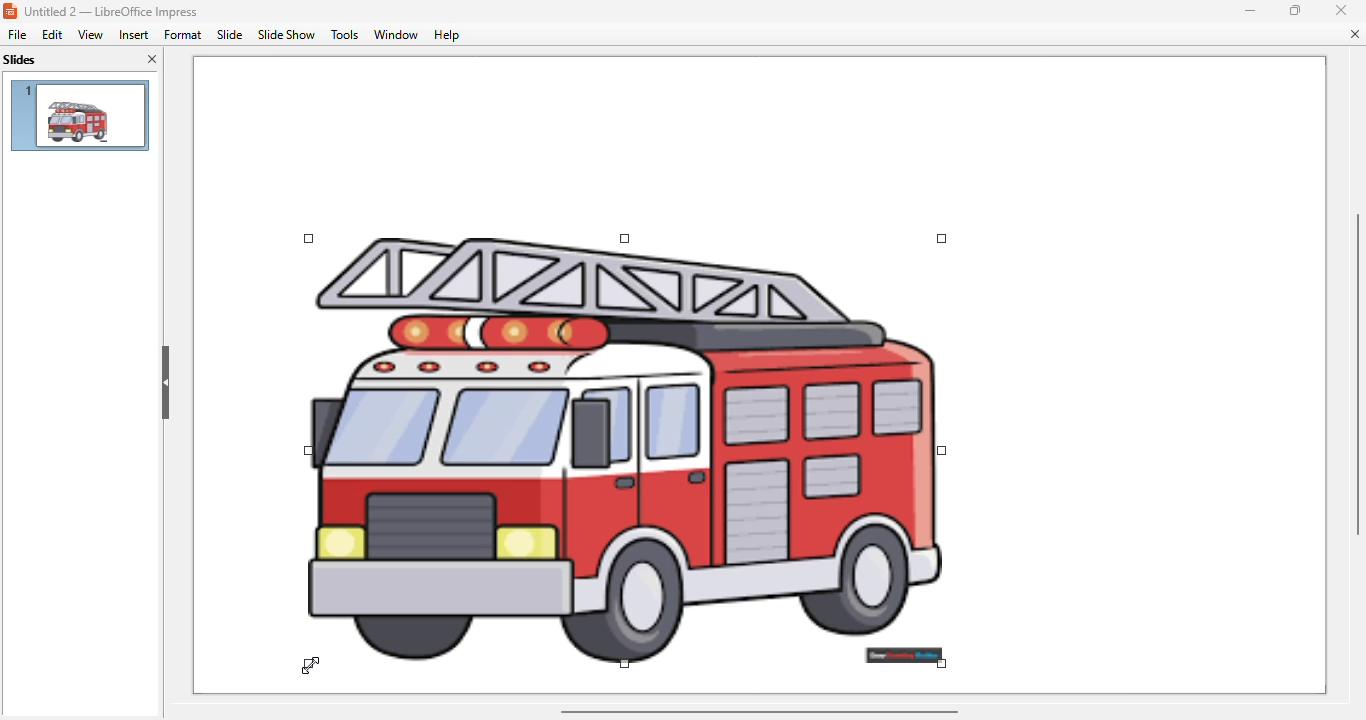  Describe the element at coordinates (182, 34) in the screenshot. I see `format` at that location.